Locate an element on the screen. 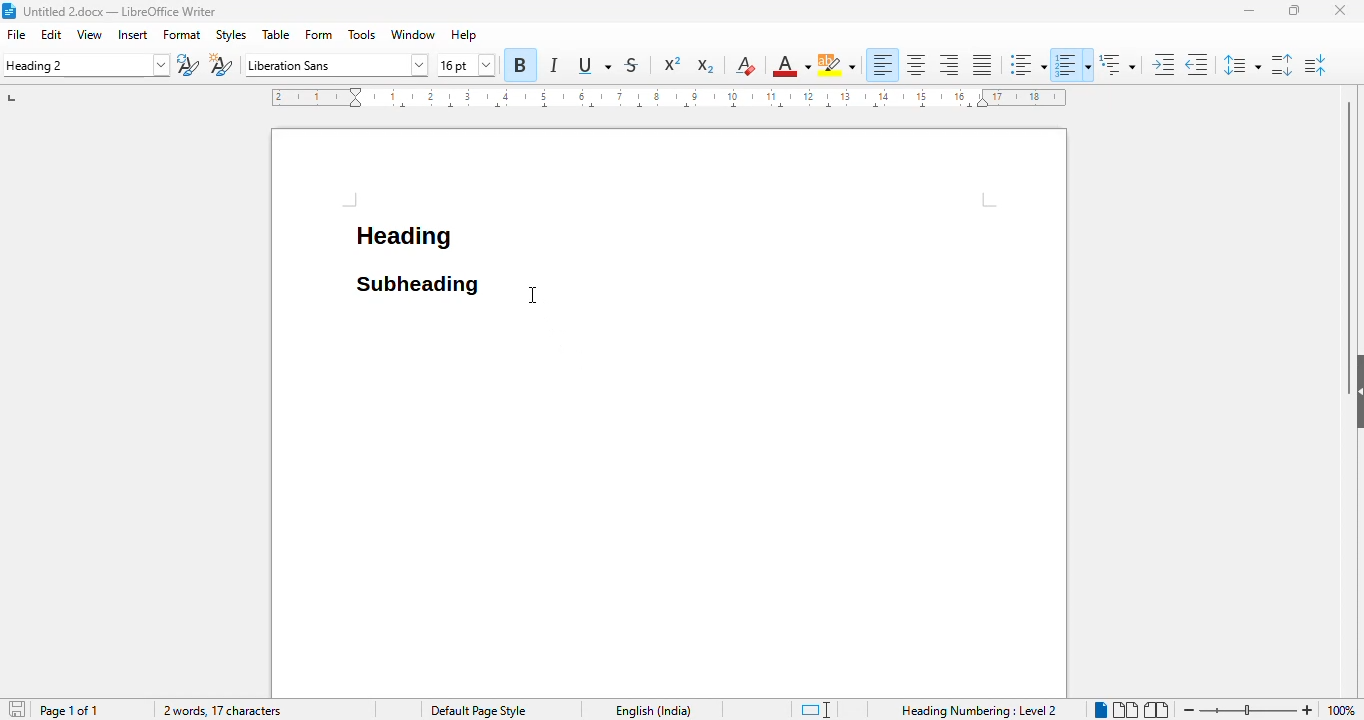  view is located at coordinates (90, 34).